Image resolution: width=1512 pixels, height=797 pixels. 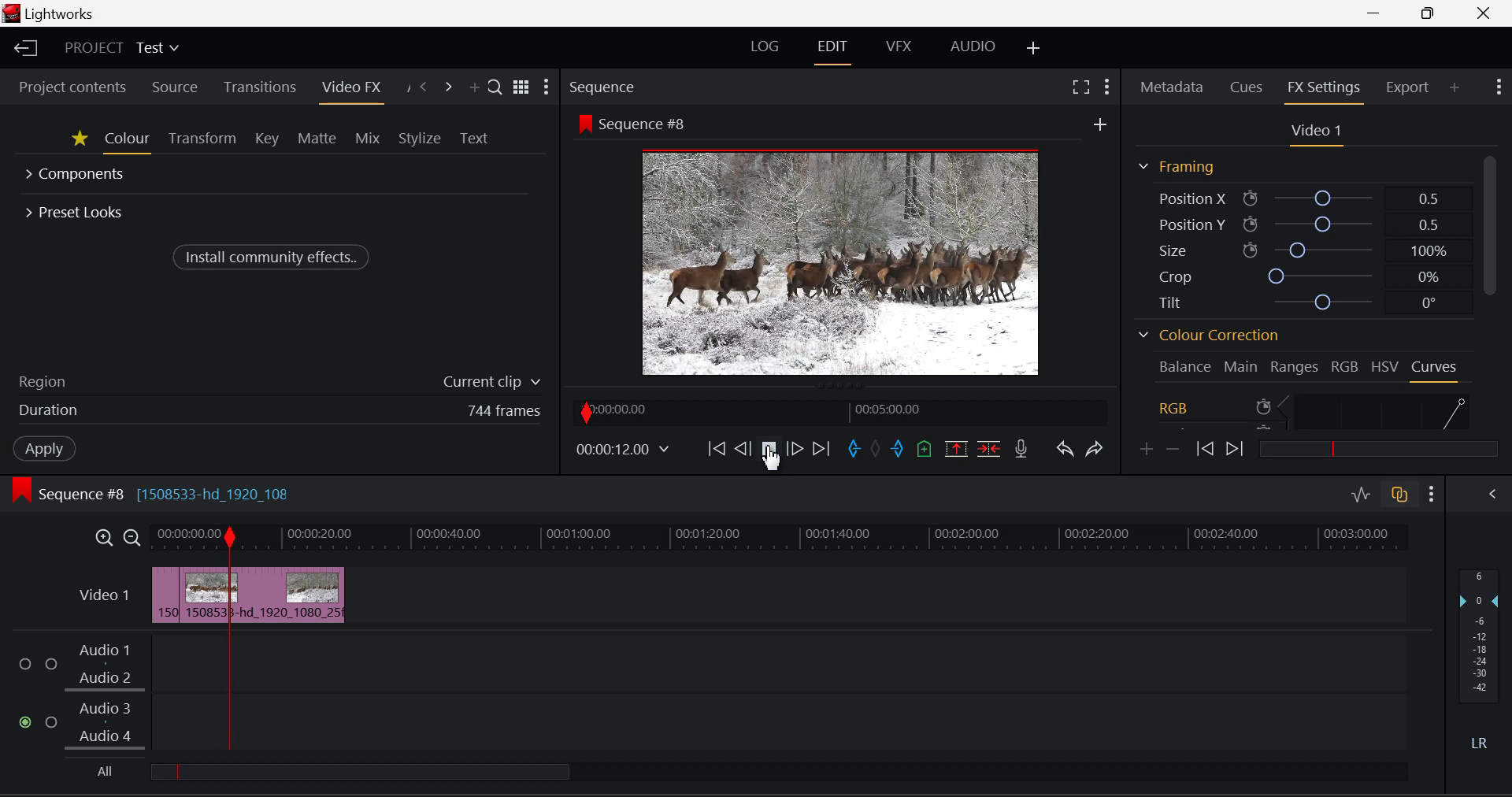 What do you see at coordinates (64, 13) in the screenshot?
I see `Lightworks` at bounding box center [64, 13].